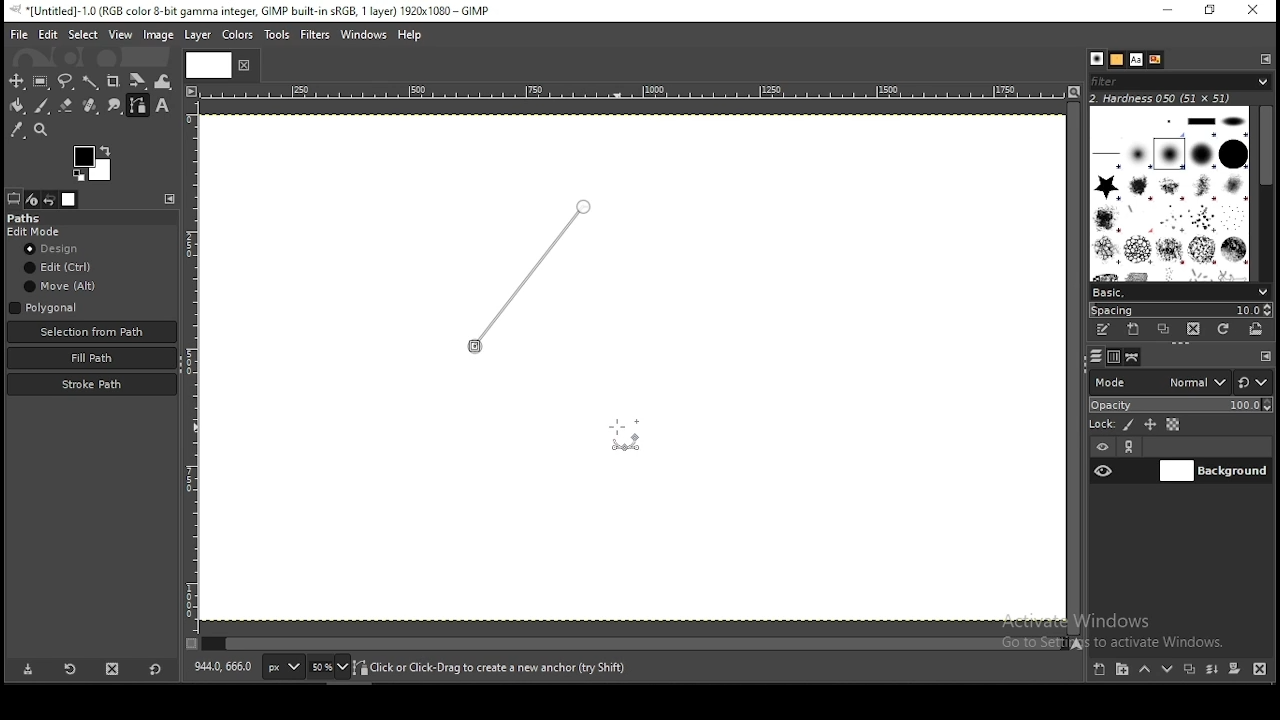  I want to click on colors, so click(238, 33).